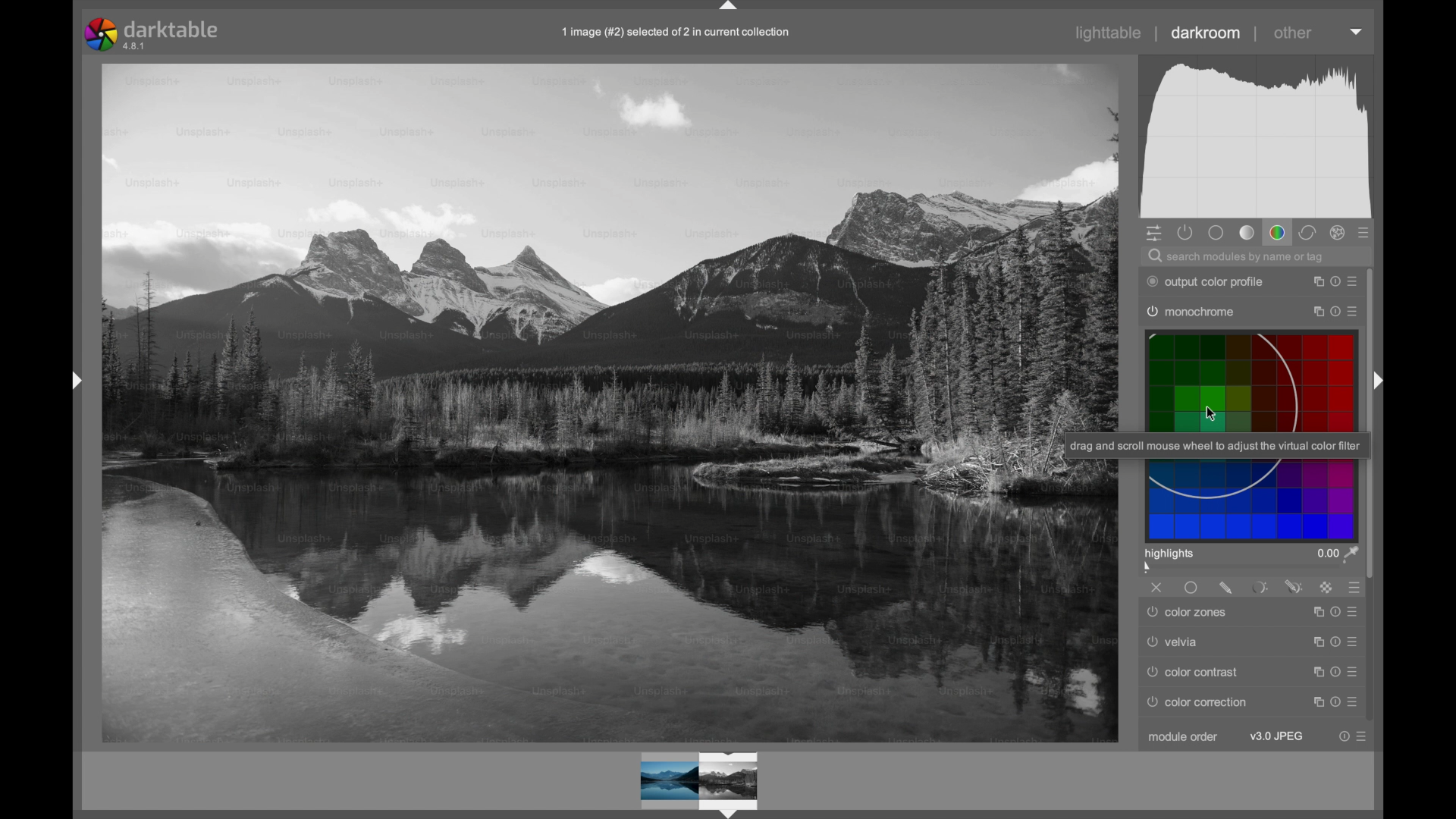 The image size is (1456, 819). Describe the element at coordinates (1259, 136) in the screenshot. I see `histogram` at that location.